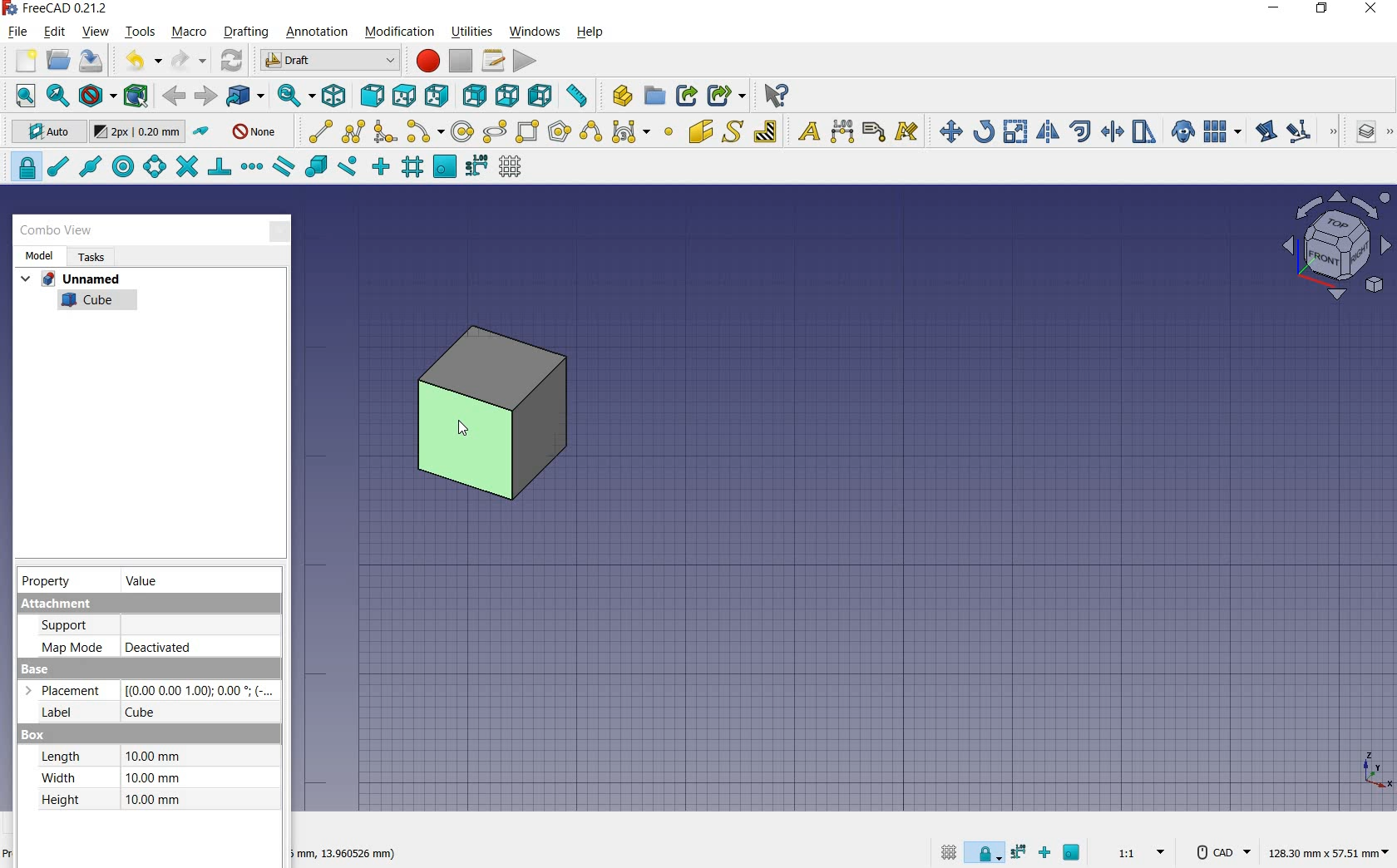 This screenshot has width=1397, height=868. What do you see at coordinates (766, 131) in the screenshot?
I see `hatch` at bounding box center [766, 131].